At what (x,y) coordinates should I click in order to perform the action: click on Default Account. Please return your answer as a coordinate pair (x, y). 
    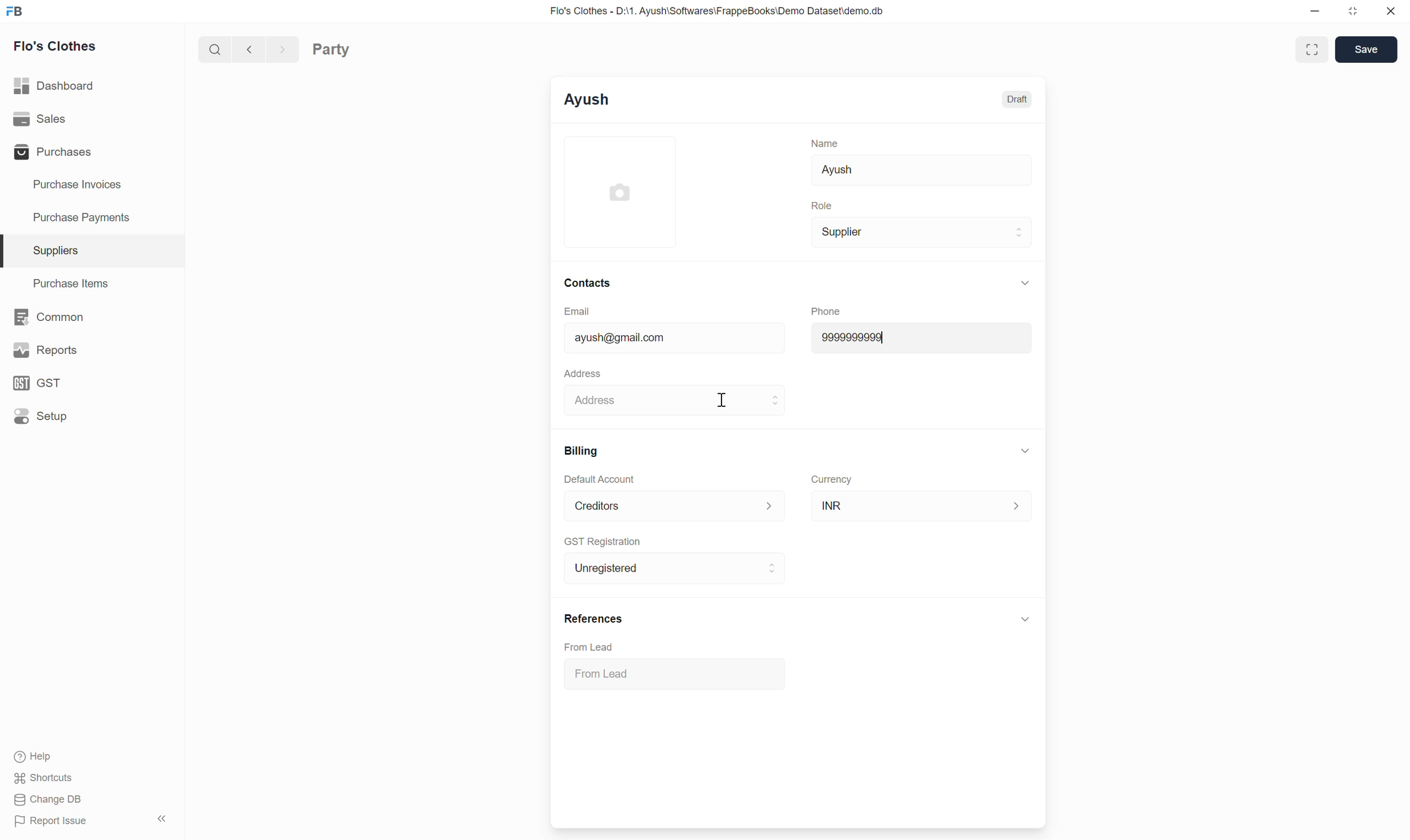
    Looking at the image, I should click on (600, 478).